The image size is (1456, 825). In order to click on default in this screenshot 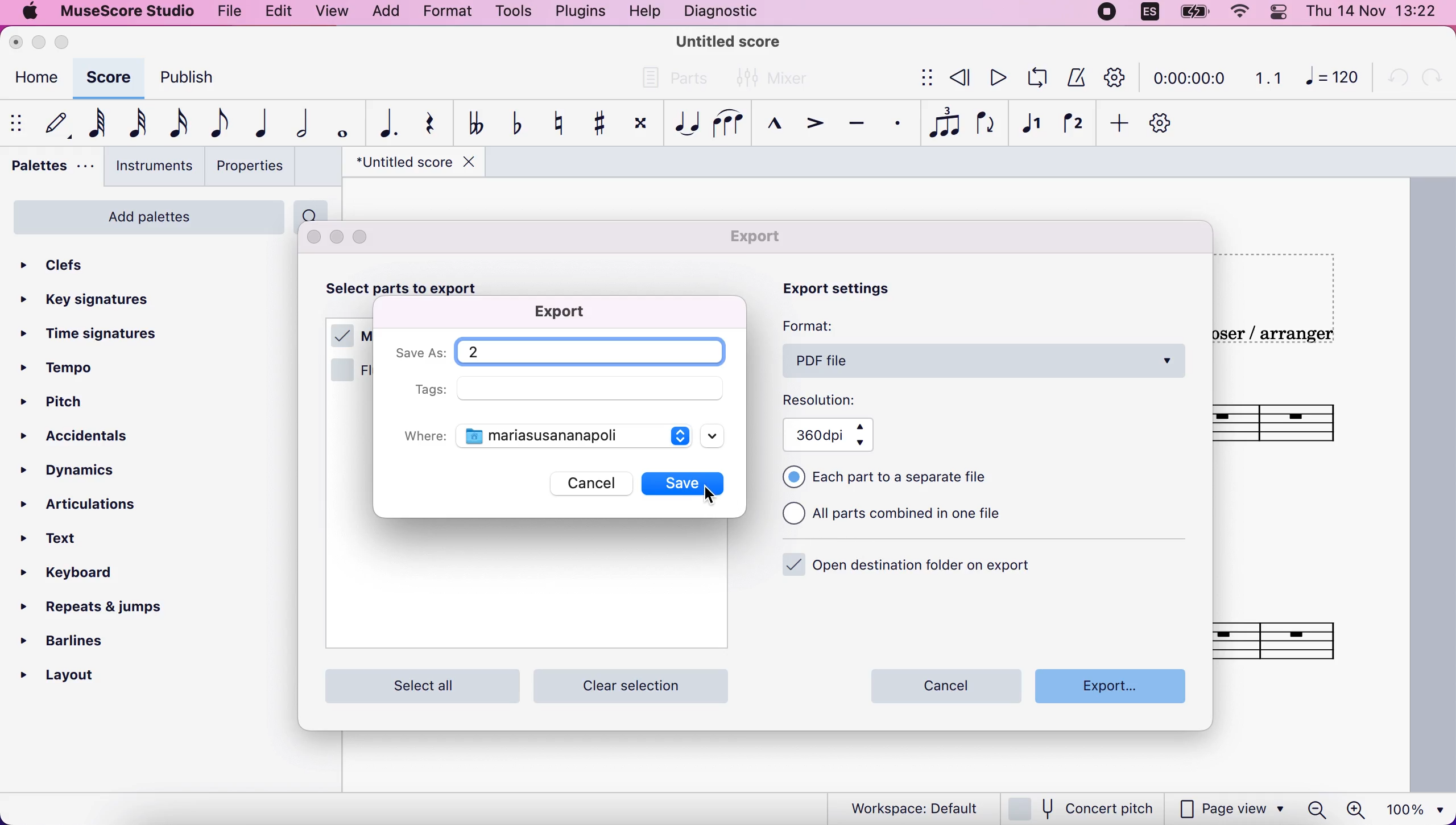, I will do `click(53, 122)`.